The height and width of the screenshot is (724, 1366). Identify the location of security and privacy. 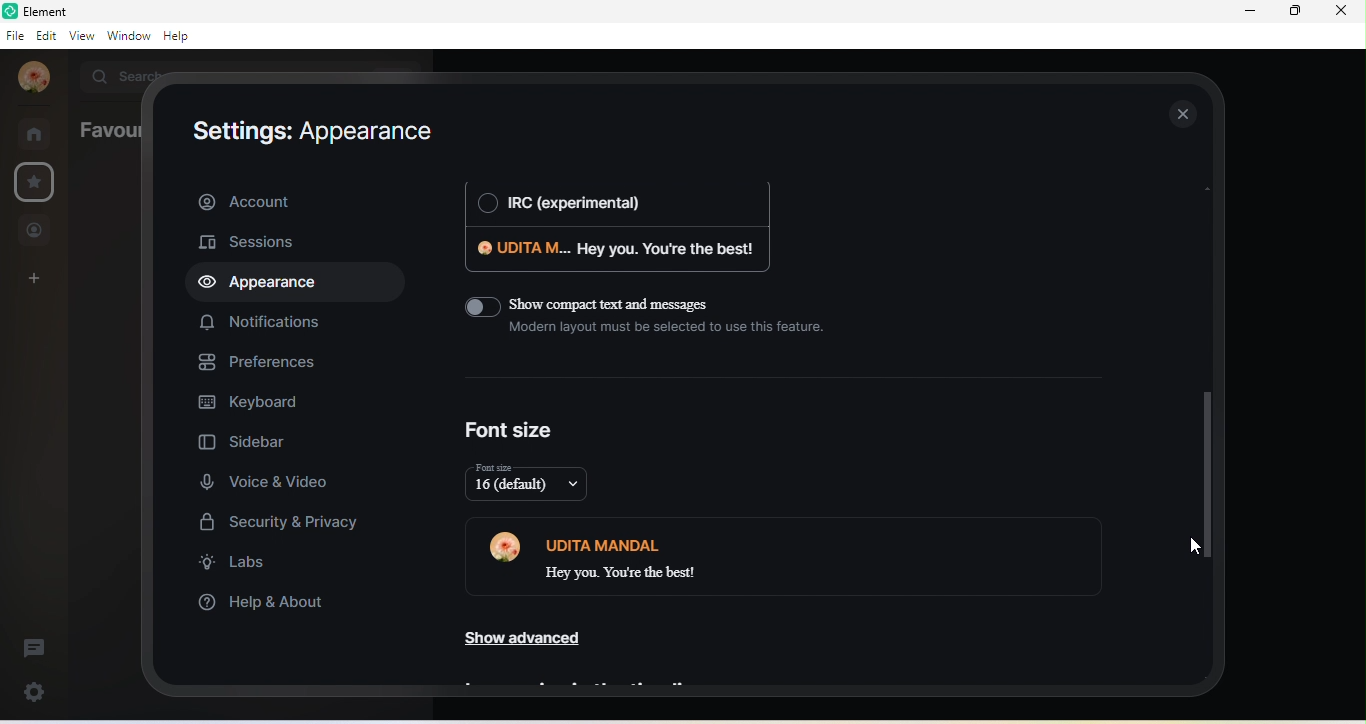
(277, 523).